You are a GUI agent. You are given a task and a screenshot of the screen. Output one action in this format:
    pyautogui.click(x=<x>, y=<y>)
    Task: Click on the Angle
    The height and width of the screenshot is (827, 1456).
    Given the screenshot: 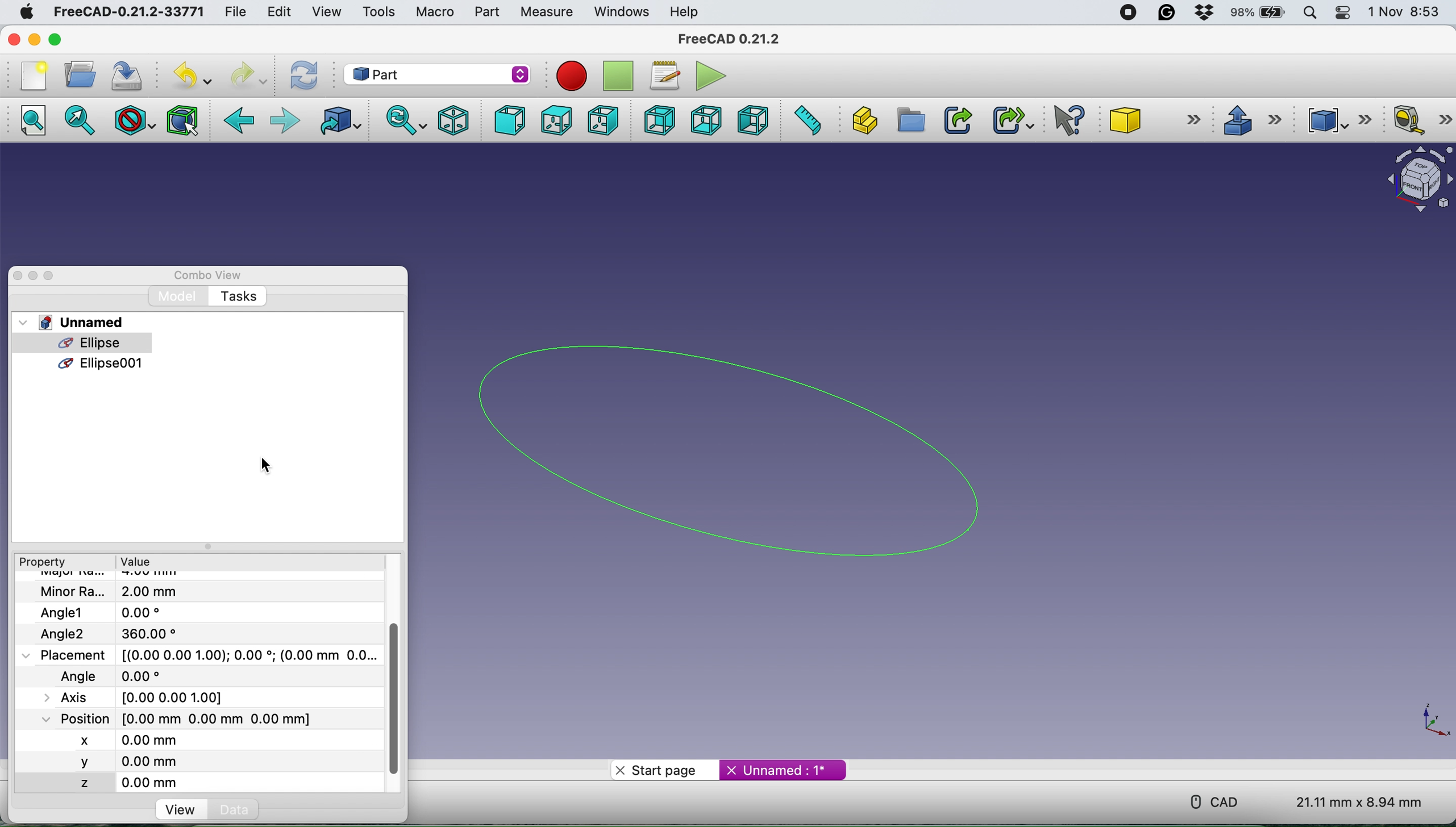 What is the action you would take?
    pyautogui.click(x=117, y=633)
    